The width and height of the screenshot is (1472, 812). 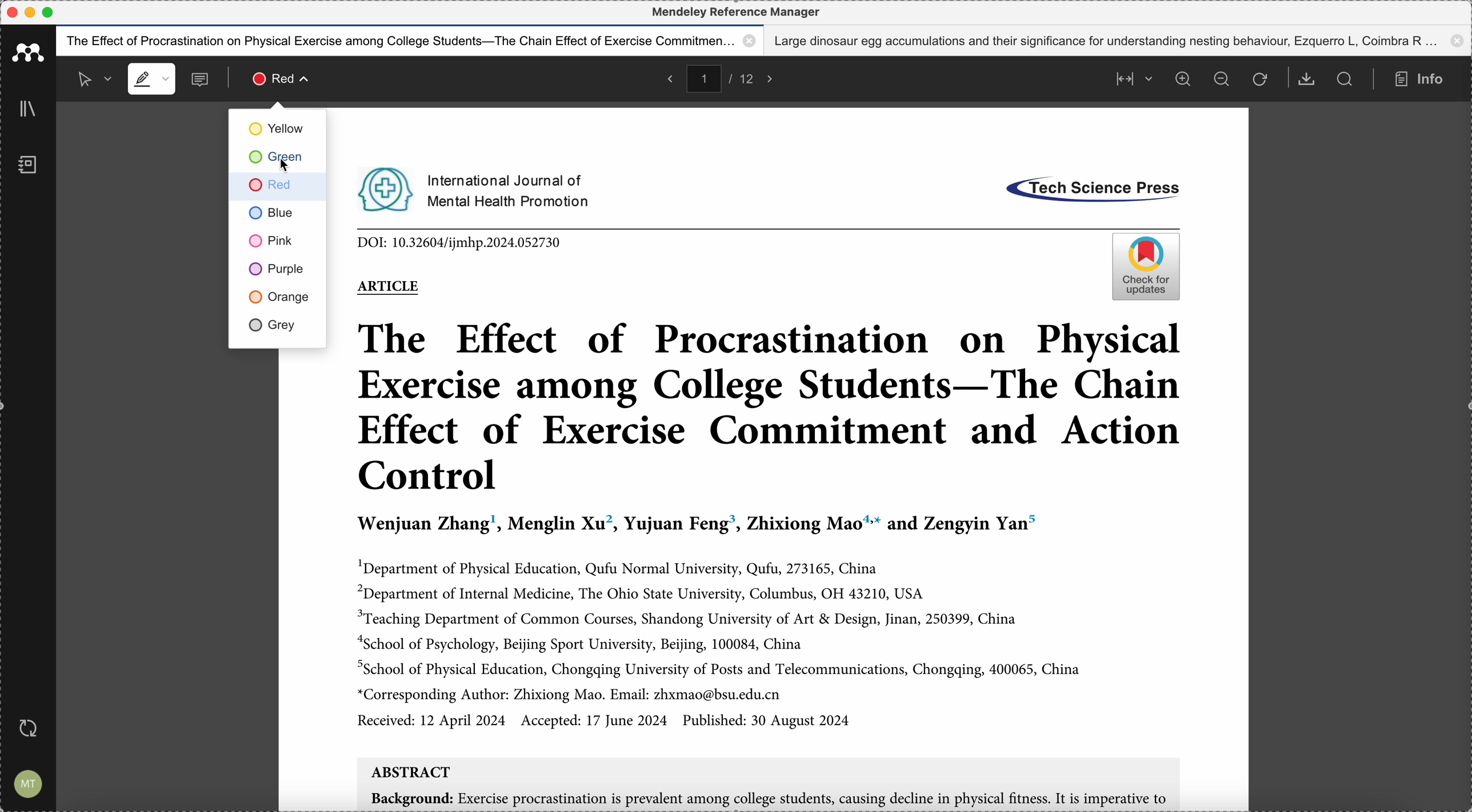 I want to click on minimize, so click(x=33, y=12).